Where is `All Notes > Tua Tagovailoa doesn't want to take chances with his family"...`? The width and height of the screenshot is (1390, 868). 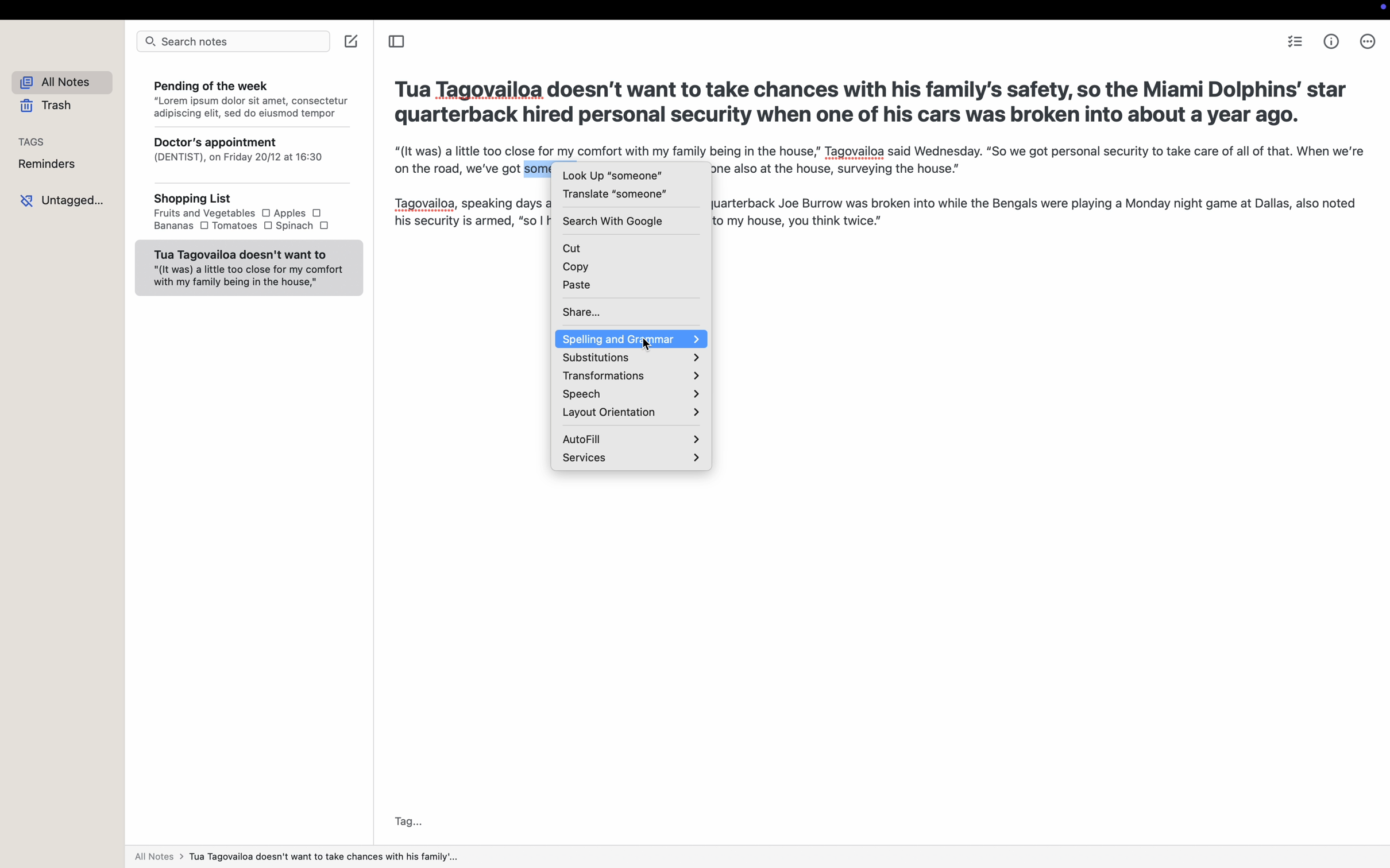 All Notes > Tua Tagovailoa doesn't want to take chances with his family"... is located at coordinates (303, 857).